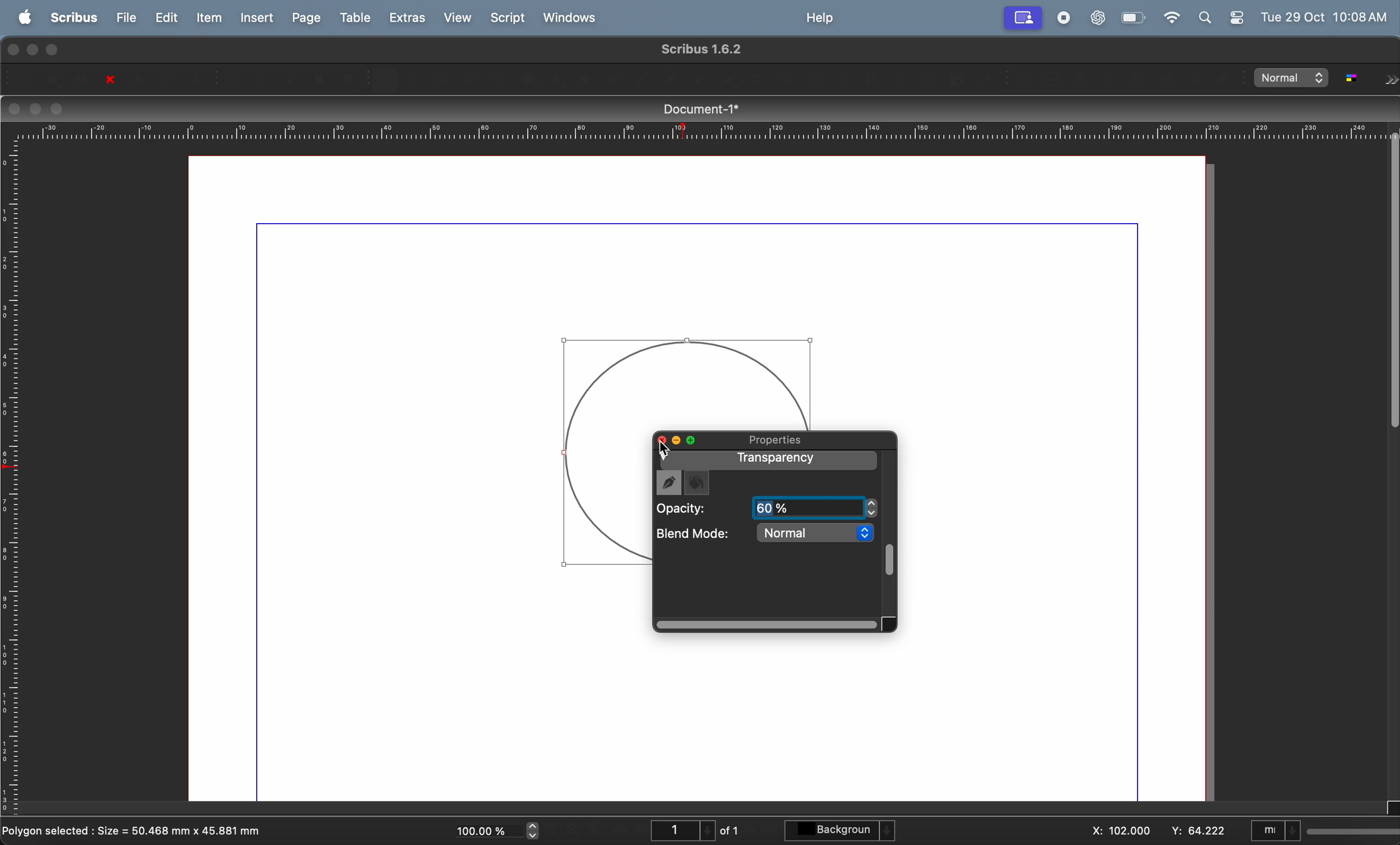 The height and width of the screenshot is (845, 1400). What do you see at coordinates (1357, 78) in the screenshot?
I see `toggle color management` at bounding box center [1357, 78].